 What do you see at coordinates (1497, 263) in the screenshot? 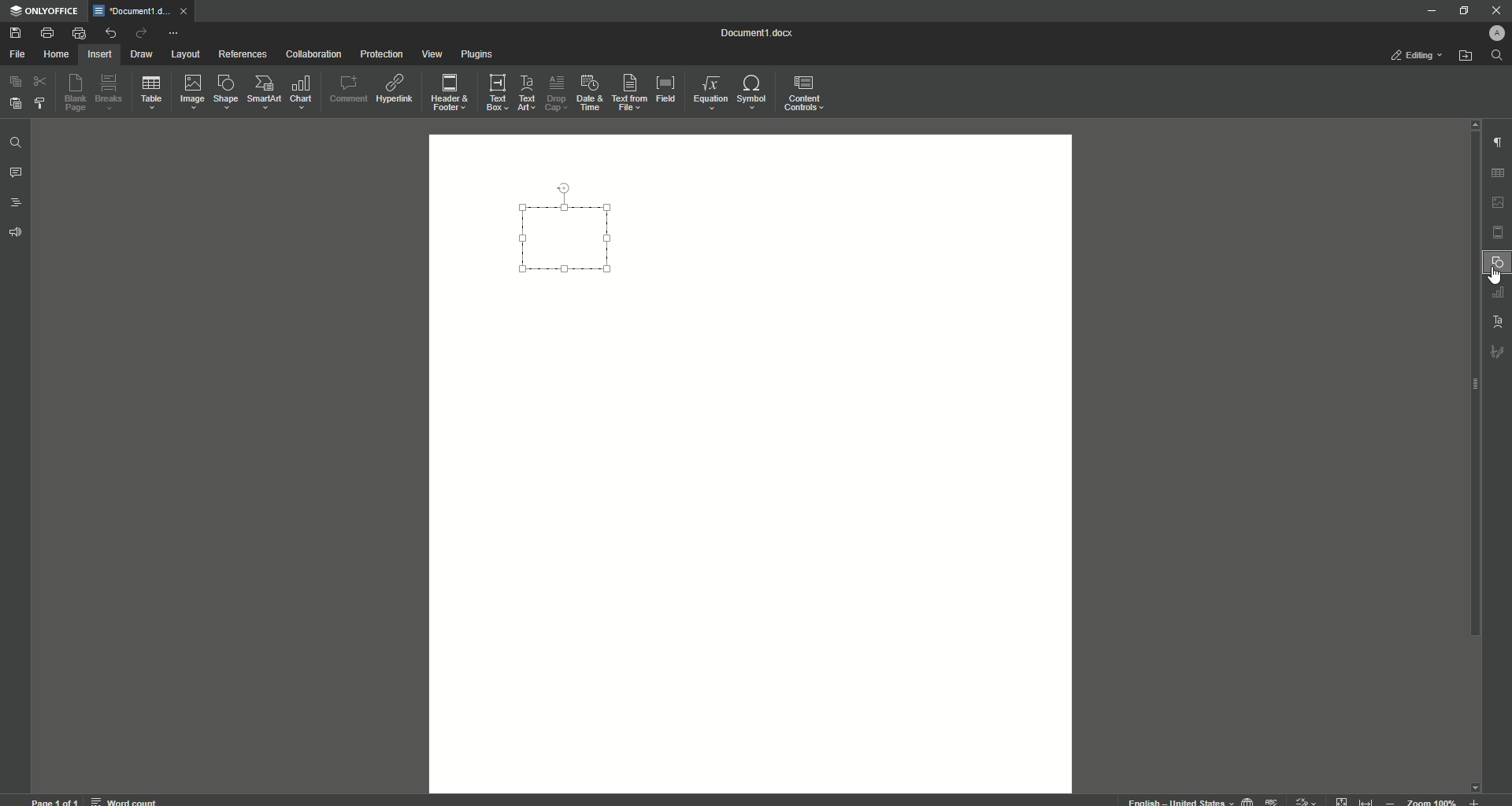
I see `Shape Settings` at bounding box center [1497, 263].